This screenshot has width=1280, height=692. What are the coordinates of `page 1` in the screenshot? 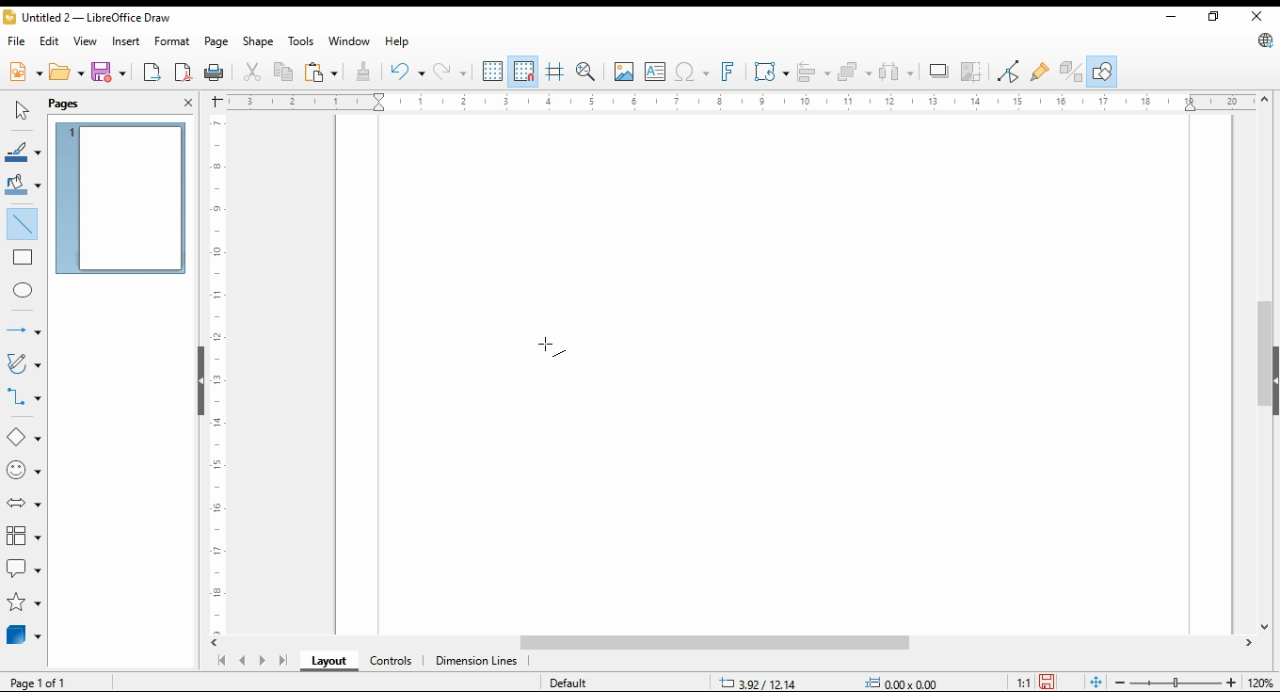 It's located at (120, 198).